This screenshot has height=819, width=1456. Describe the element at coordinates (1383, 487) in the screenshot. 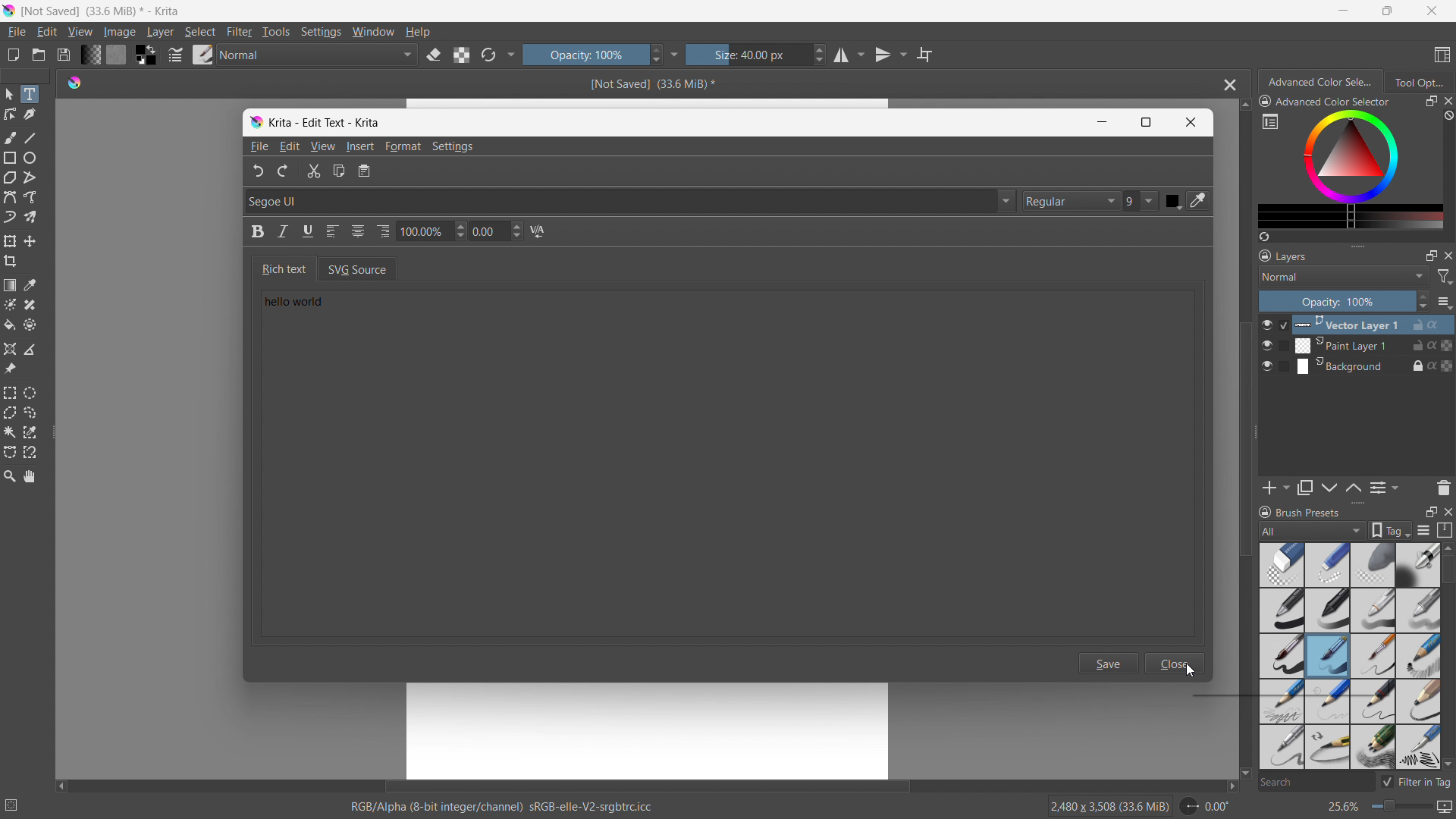

I see `view/change layer properties` at that location.